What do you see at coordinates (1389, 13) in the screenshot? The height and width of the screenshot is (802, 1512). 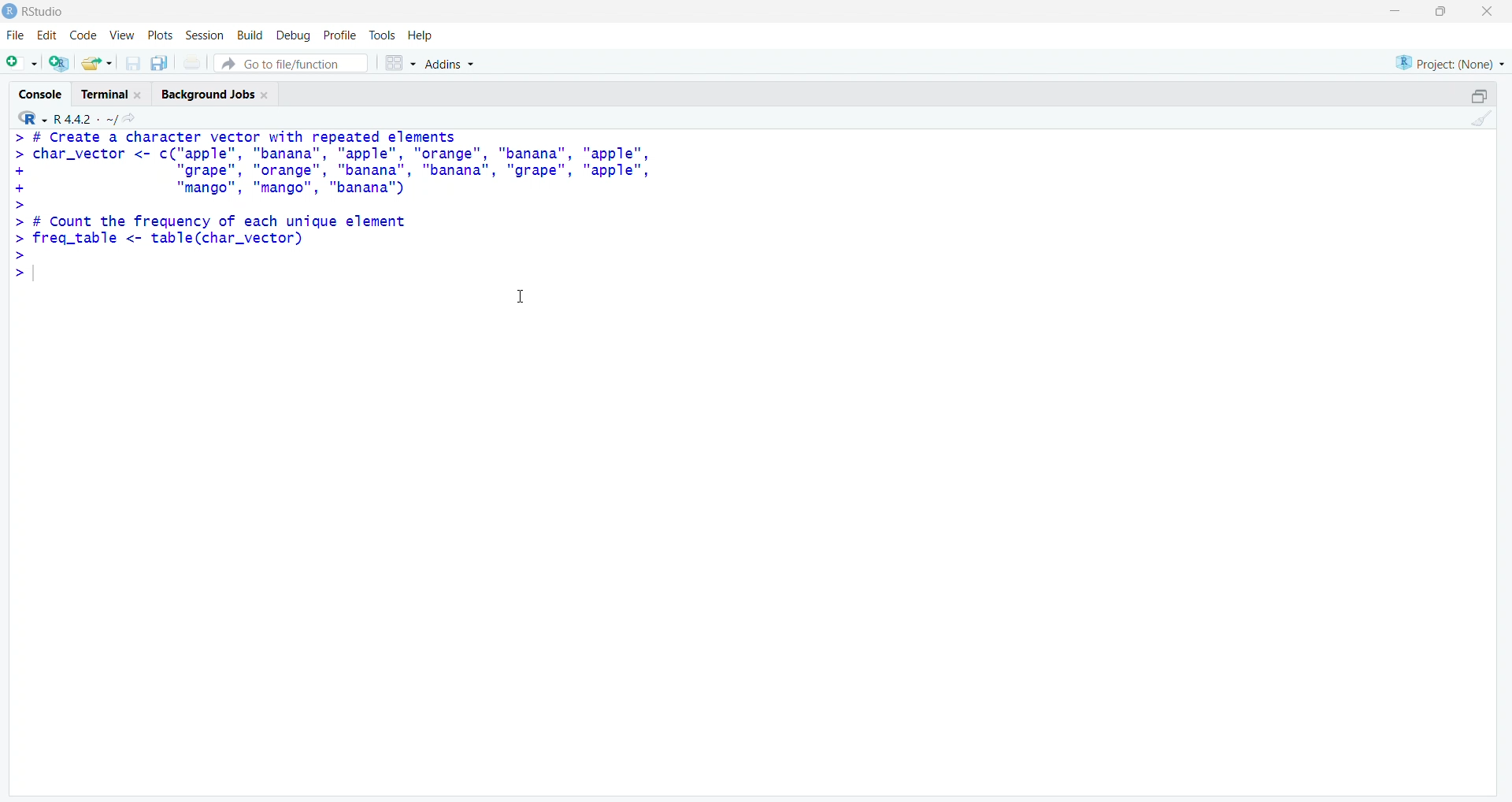 I see `Minimize` at bounding box center [1389, 13].